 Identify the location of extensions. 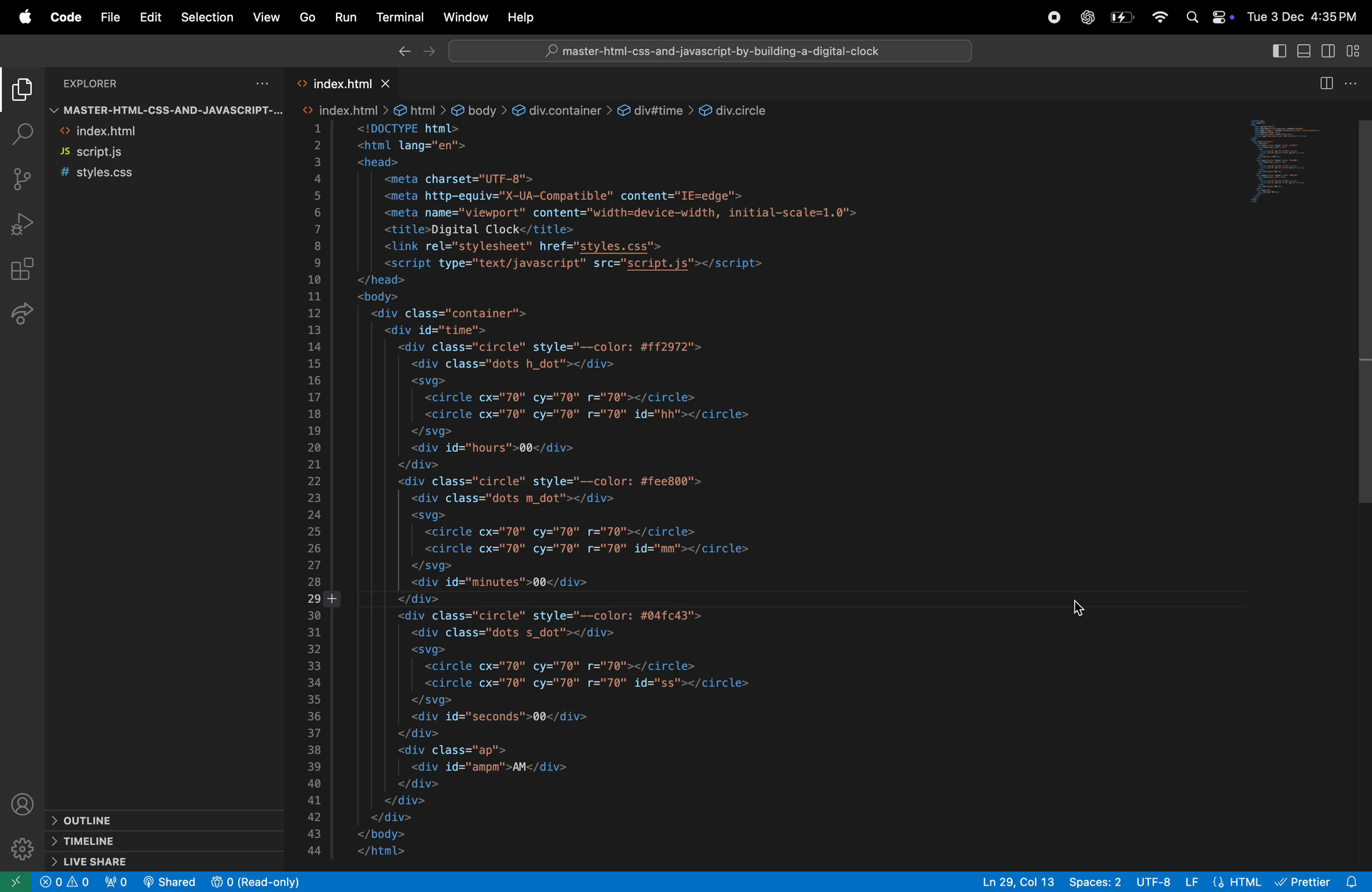
(24, 270).